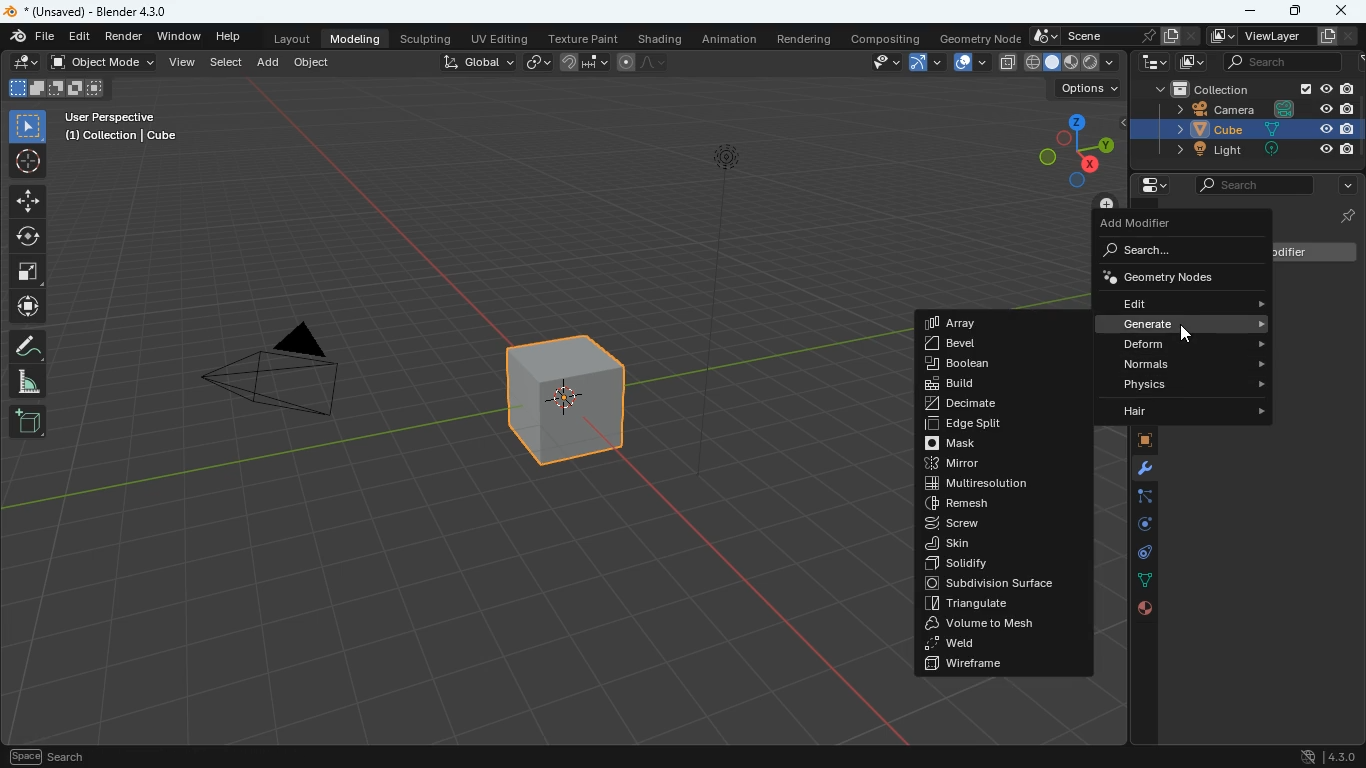 The image size is (1366, 768). Describe the element at coordinates (1245, 151) in the screenshot. I see `light` at that location.